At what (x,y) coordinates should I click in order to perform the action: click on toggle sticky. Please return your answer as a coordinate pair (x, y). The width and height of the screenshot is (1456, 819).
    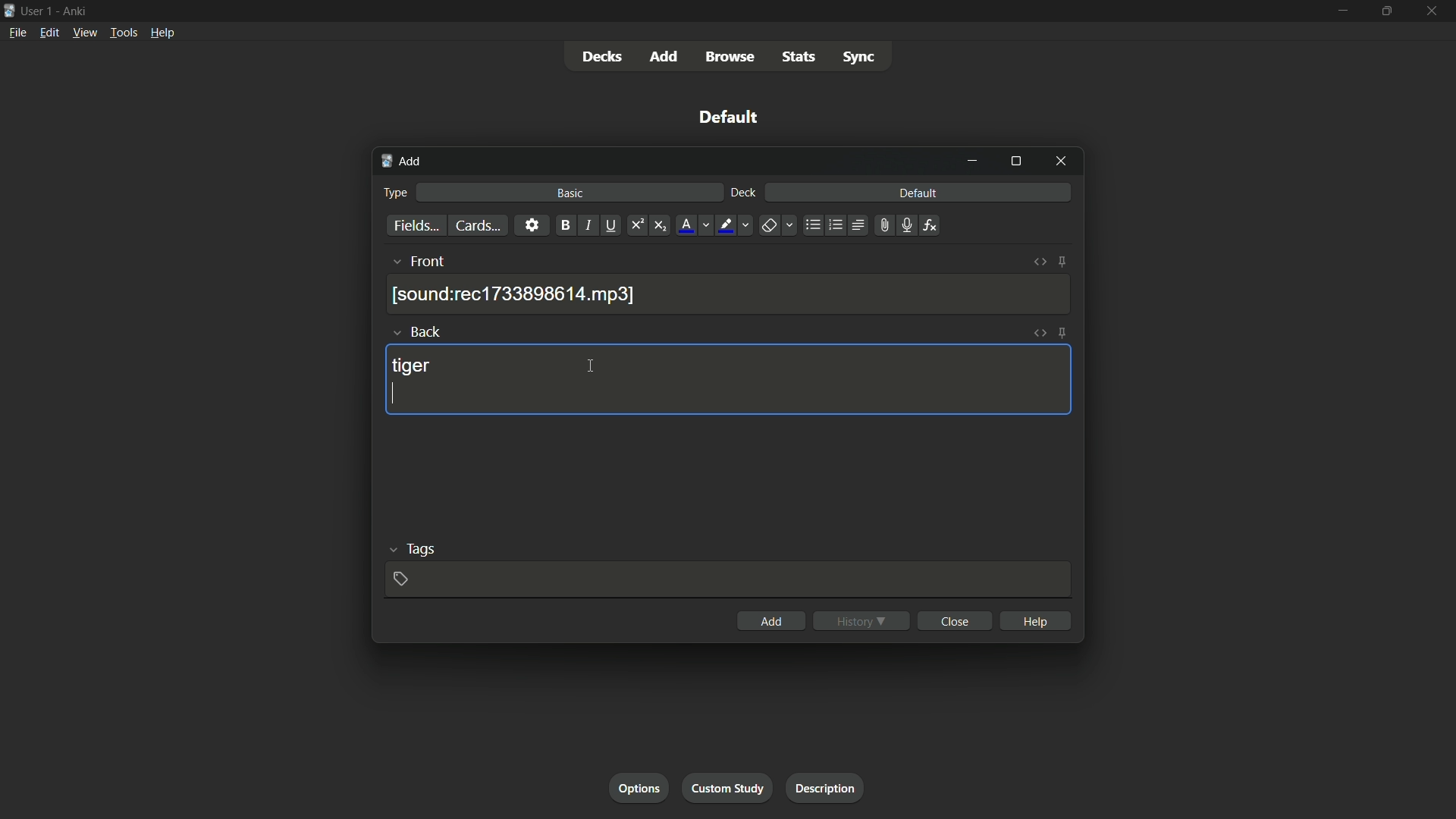
    Looking at the image, I should click on (1062, 262).